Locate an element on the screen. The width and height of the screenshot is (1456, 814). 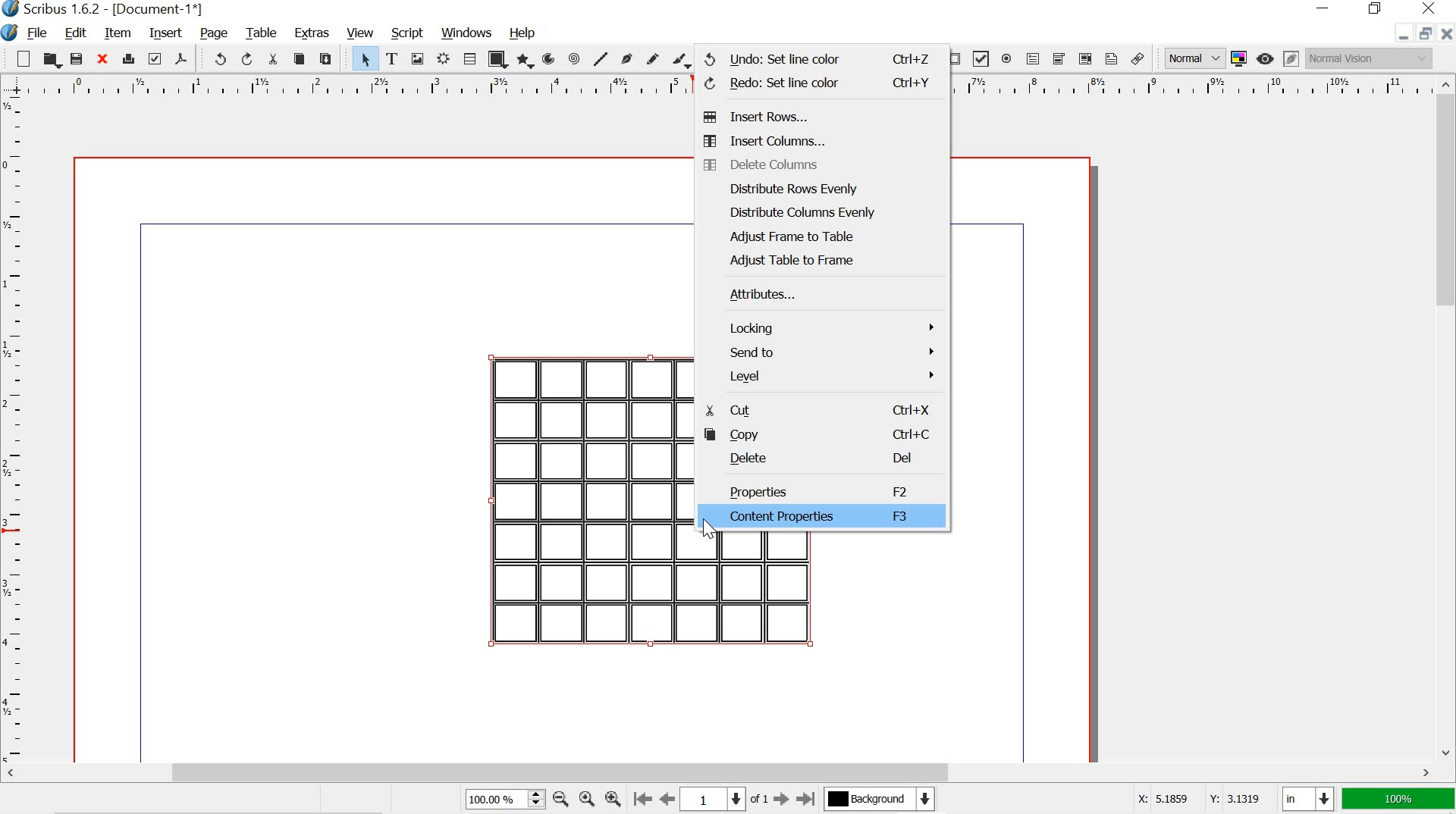
redo Ctrl+Y is located at coordinates (819, 86).